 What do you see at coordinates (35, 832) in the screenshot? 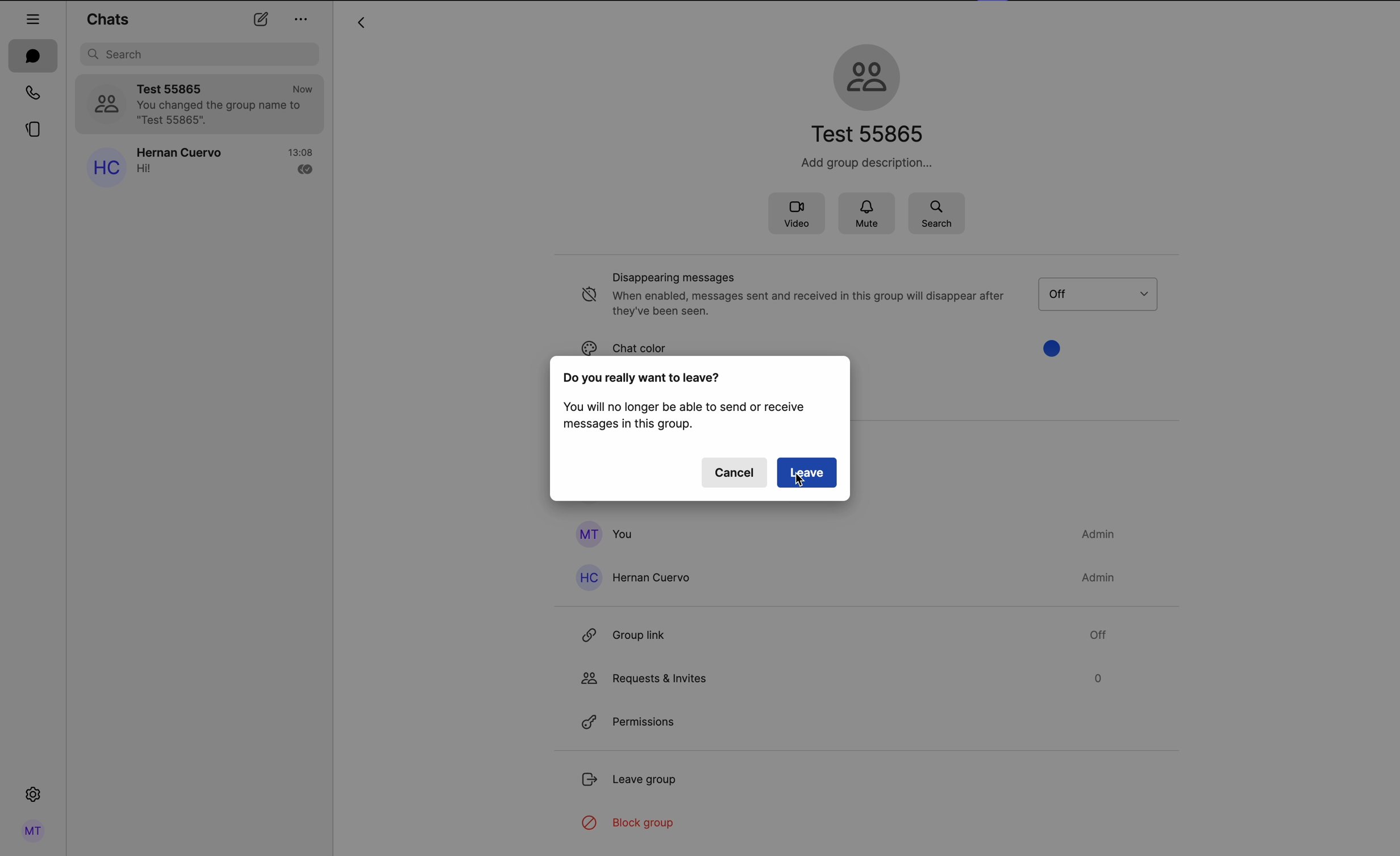
I see `profile` at bounding box center [35, 832].